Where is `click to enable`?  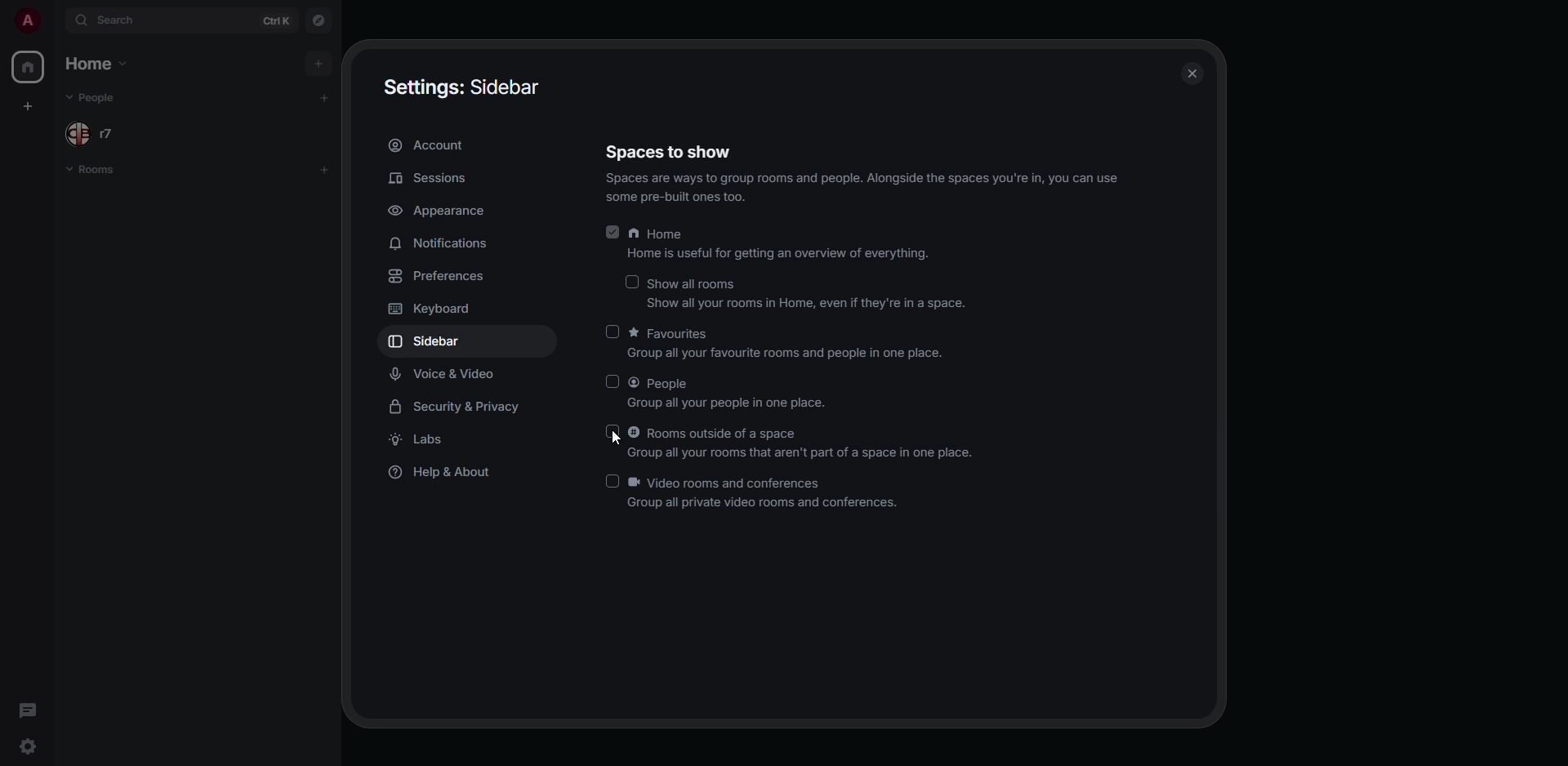 click to enable is located at coordinates (611, 383).